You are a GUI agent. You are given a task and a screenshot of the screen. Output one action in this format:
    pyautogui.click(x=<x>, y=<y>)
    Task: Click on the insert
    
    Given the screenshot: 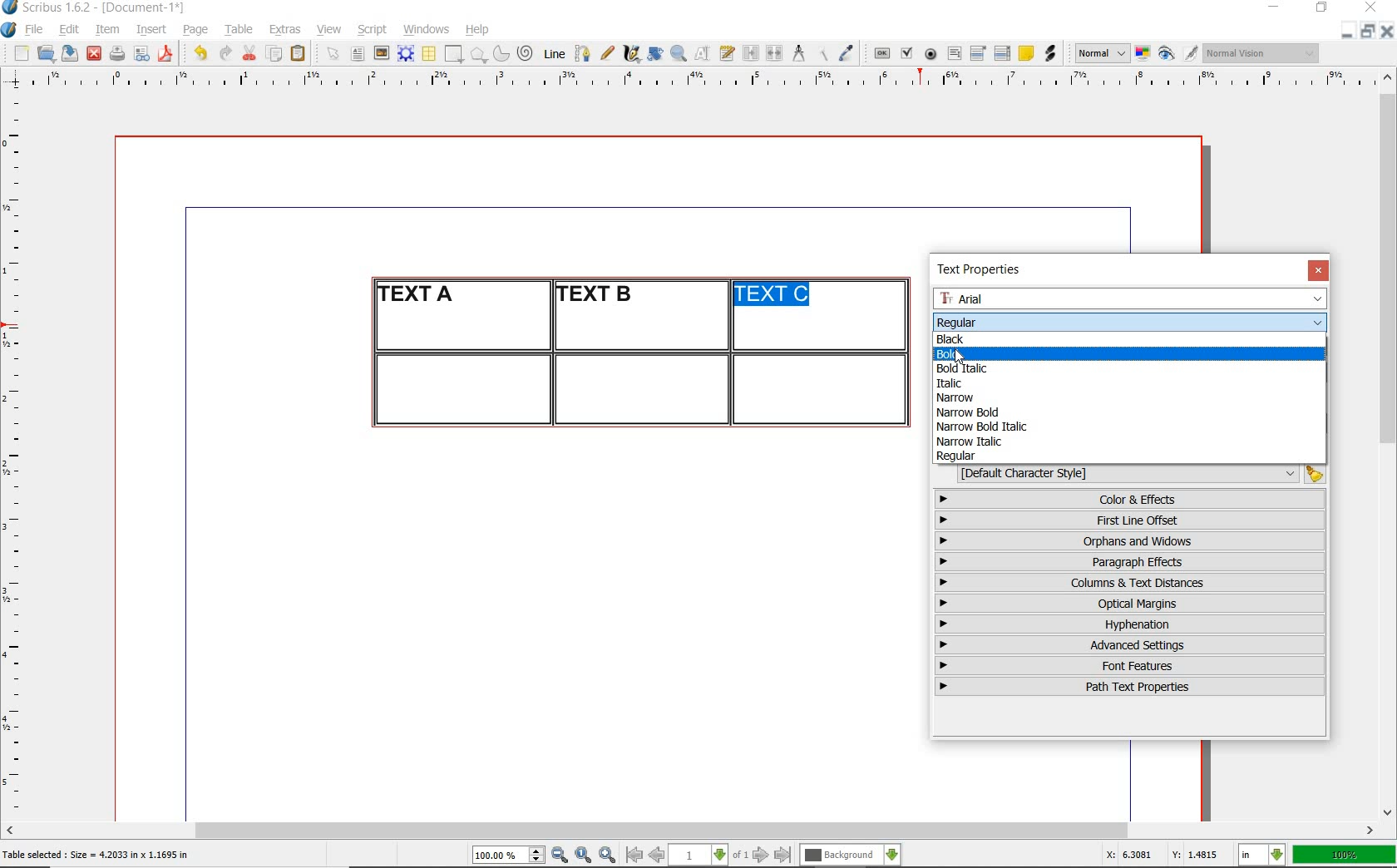 What is the action you would take?
    pyautogui.click(x=151, y=30)
    